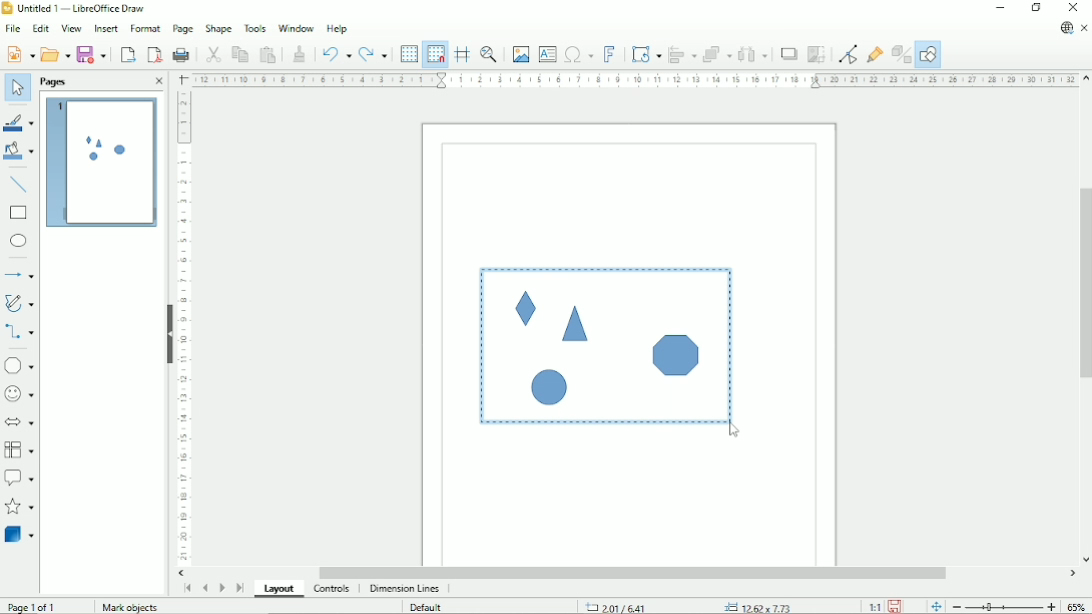 The width and height of the screenshot is (1092, 614). I want to click on Fill color, so click(20, 153).